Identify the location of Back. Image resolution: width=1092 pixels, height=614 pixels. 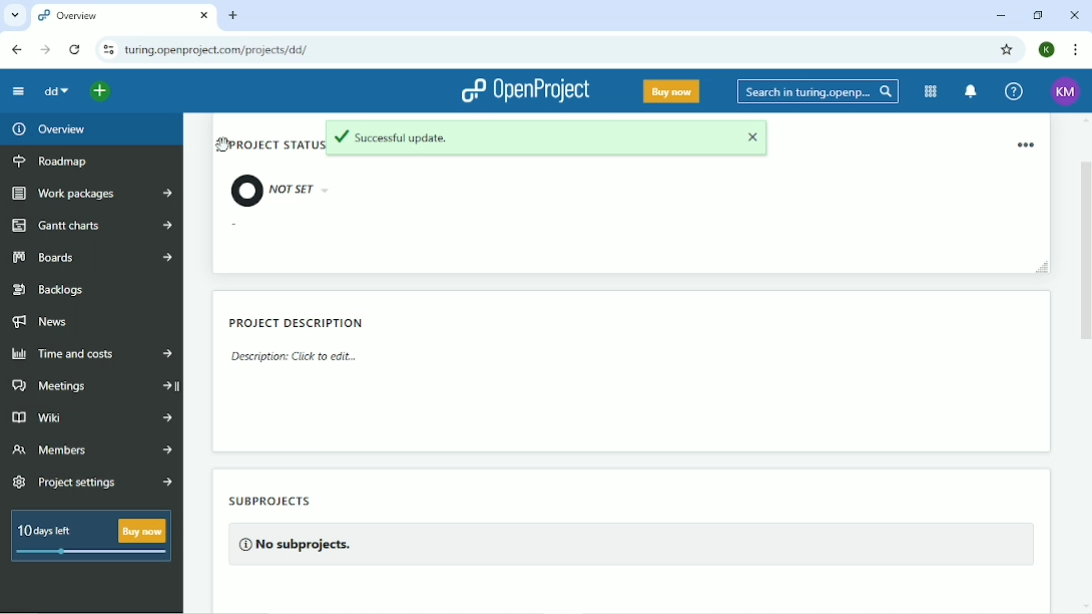
(17, 49).